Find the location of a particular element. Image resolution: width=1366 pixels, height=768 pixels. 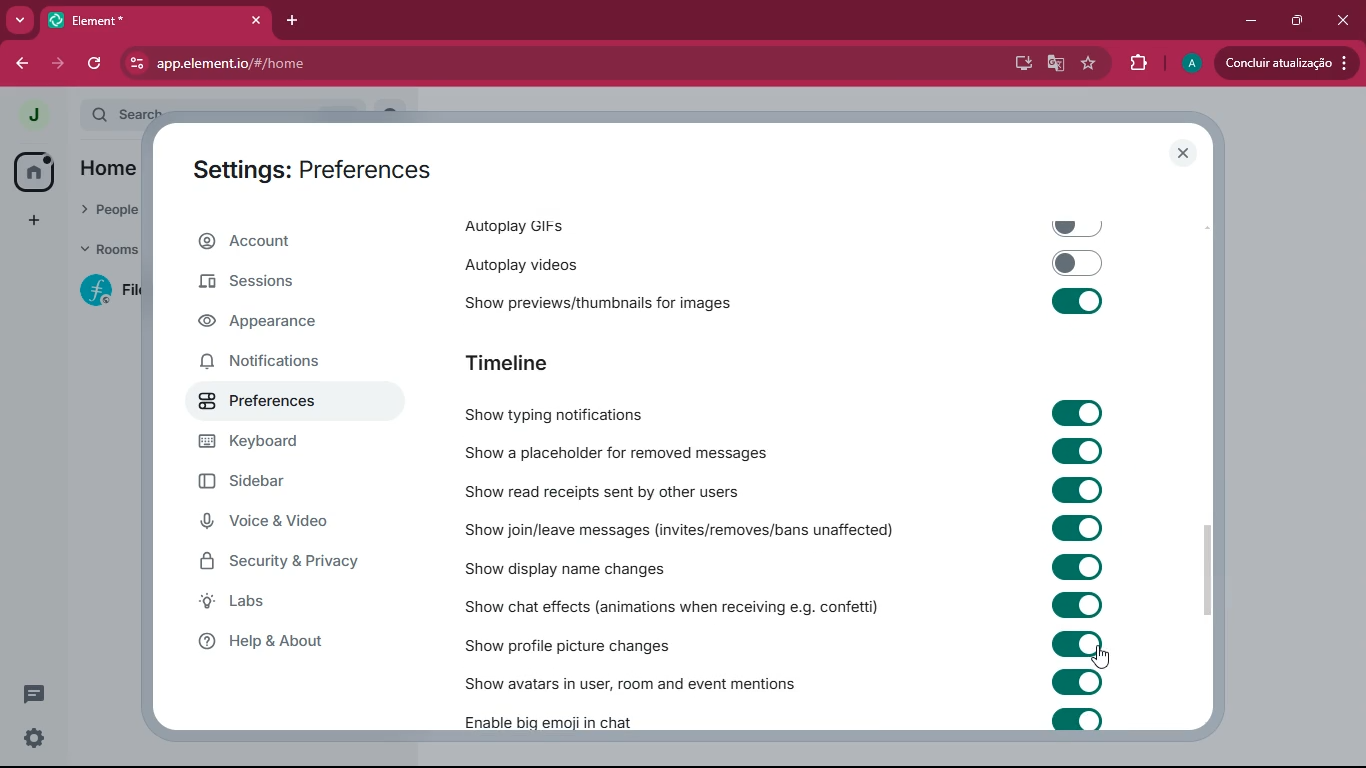

refresh is located at coordinates (94, 65).